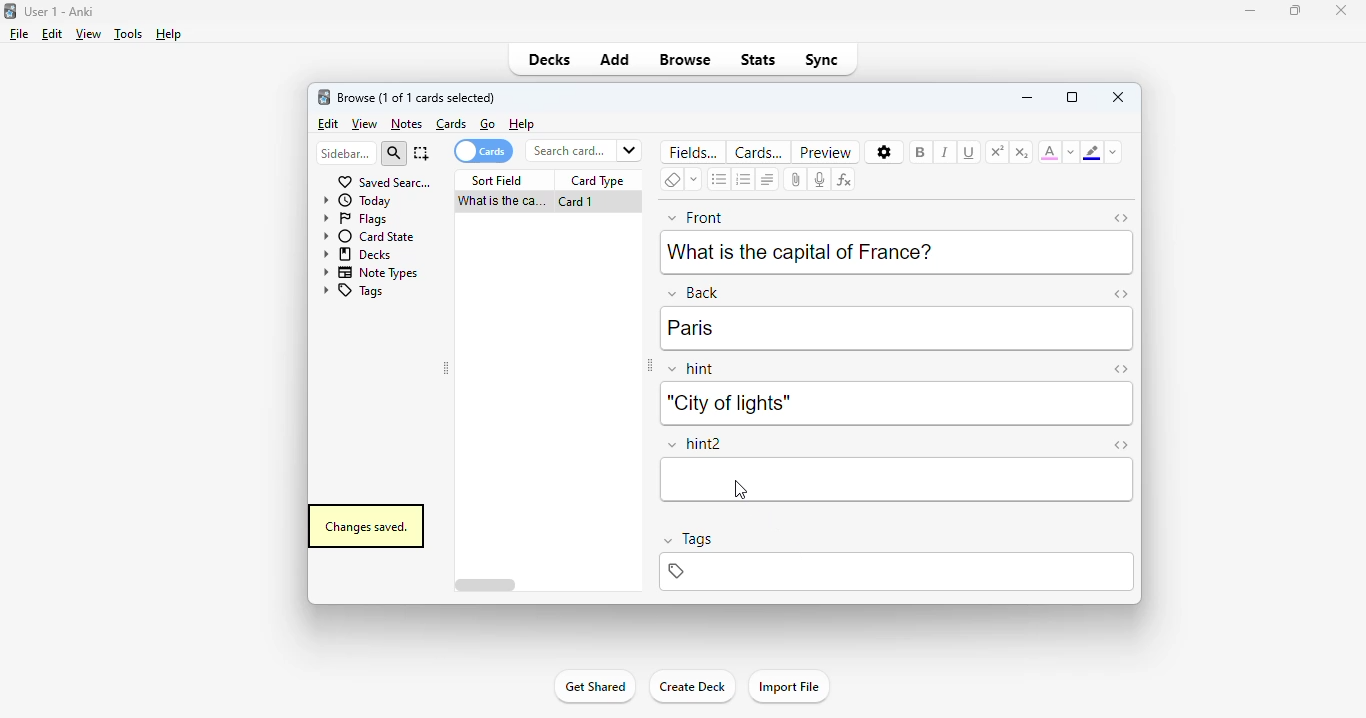  I want to click on tags, so click(687, 541).